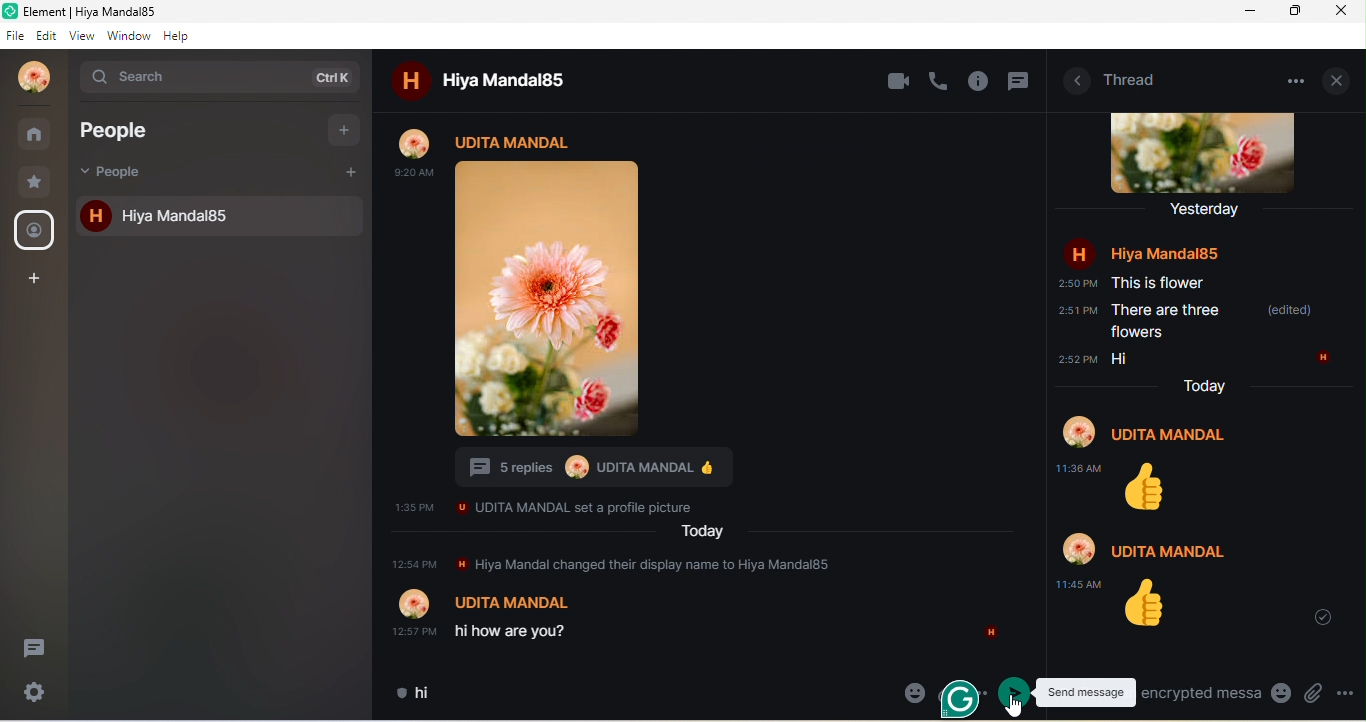 The image size is (1366, 722). I want to click on hiya mandal85, so click(240, 215).